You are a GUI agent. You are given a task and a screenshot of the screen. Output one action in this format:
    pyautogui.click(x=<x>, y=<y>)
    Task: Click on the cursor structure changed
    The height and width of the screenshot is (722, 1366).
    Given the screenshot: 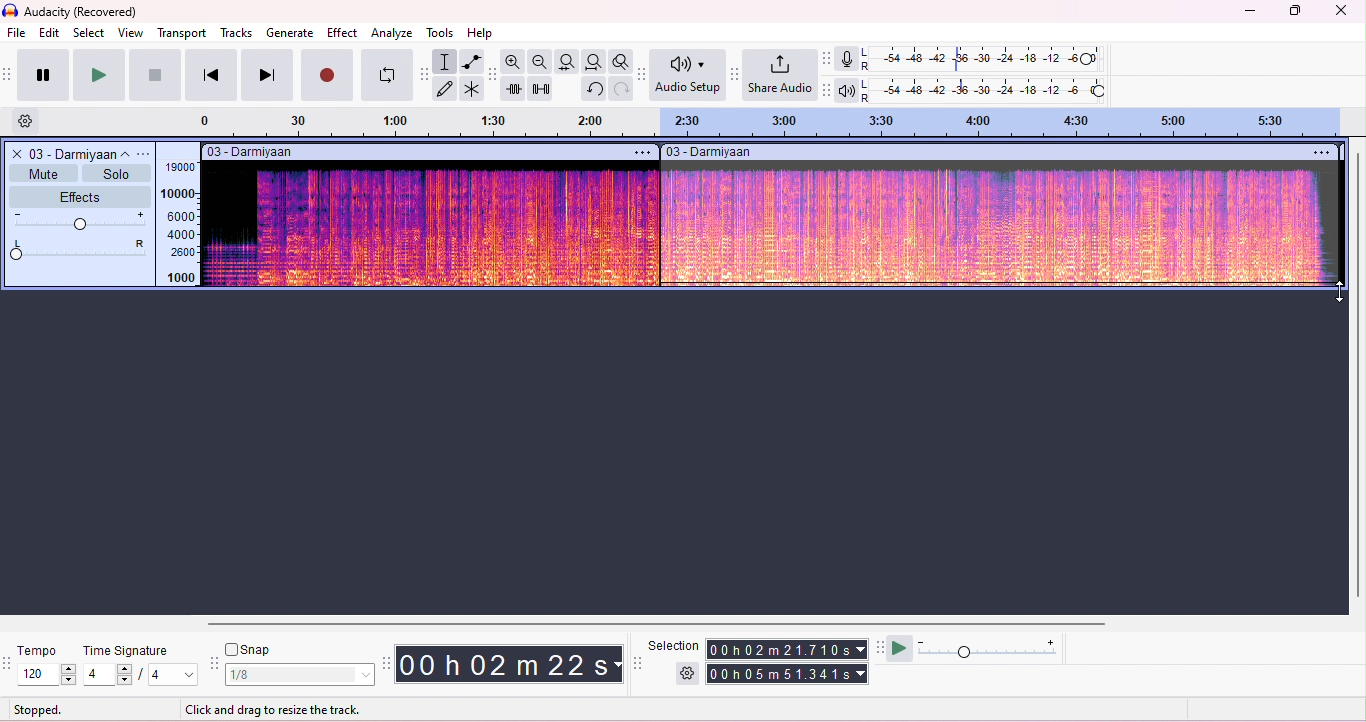 What is the action you would take?
    pyautogui.click(x=1338, y=288)
    